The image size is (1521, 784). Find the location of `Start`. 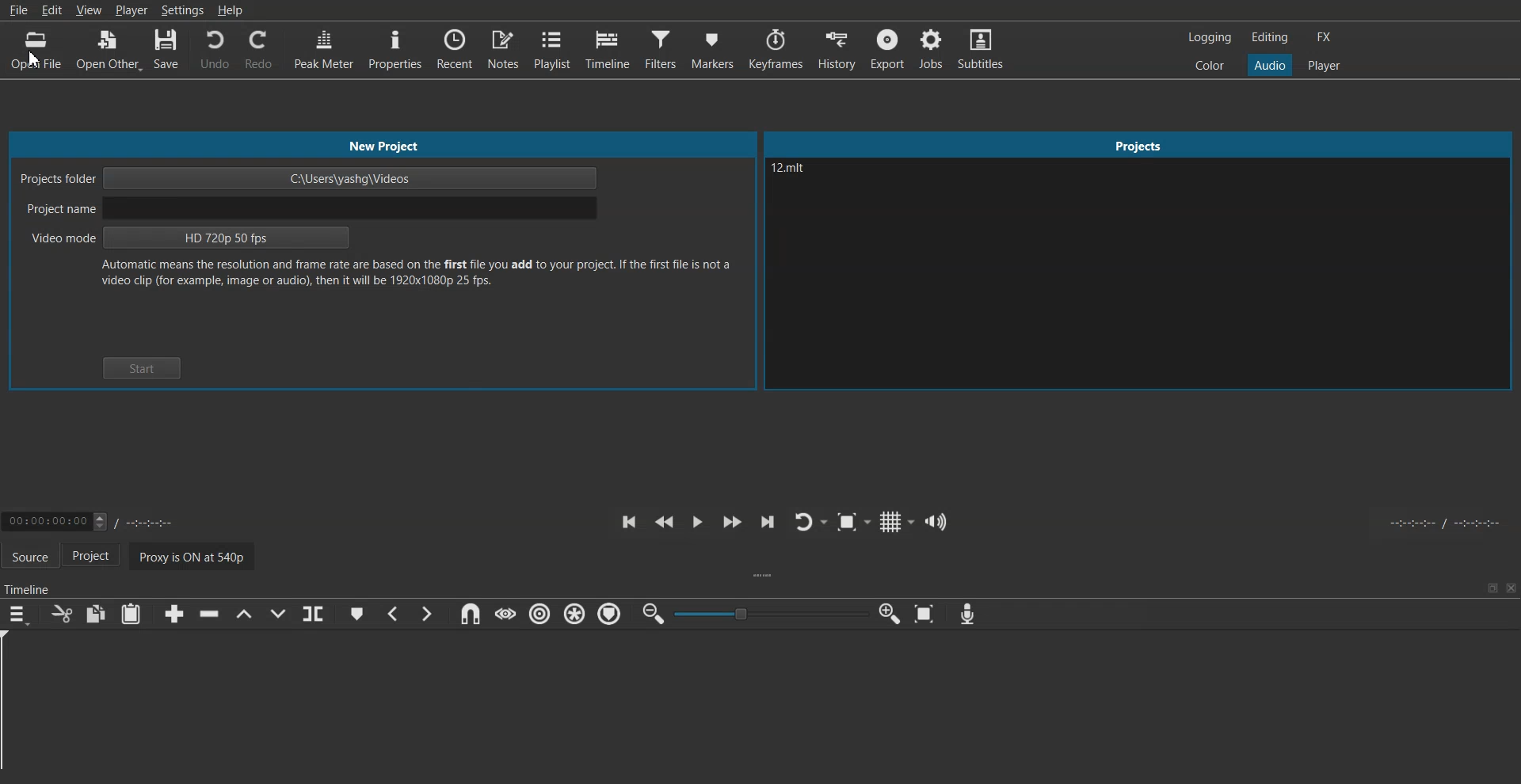

Start is located at coordinates (143, 368).